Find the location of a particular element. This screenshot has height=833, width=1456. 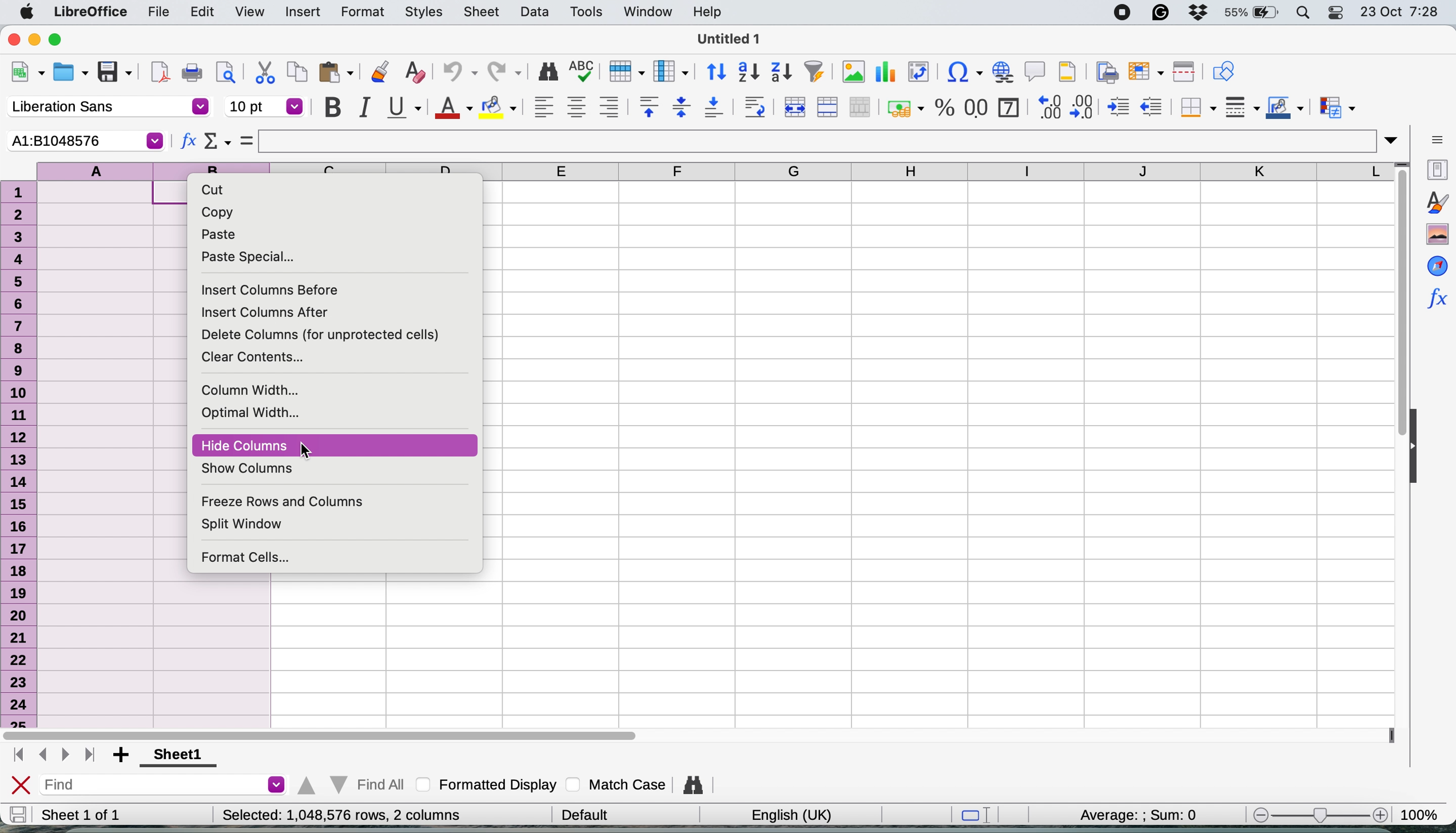

sheet is located at coordinates (486, 11).